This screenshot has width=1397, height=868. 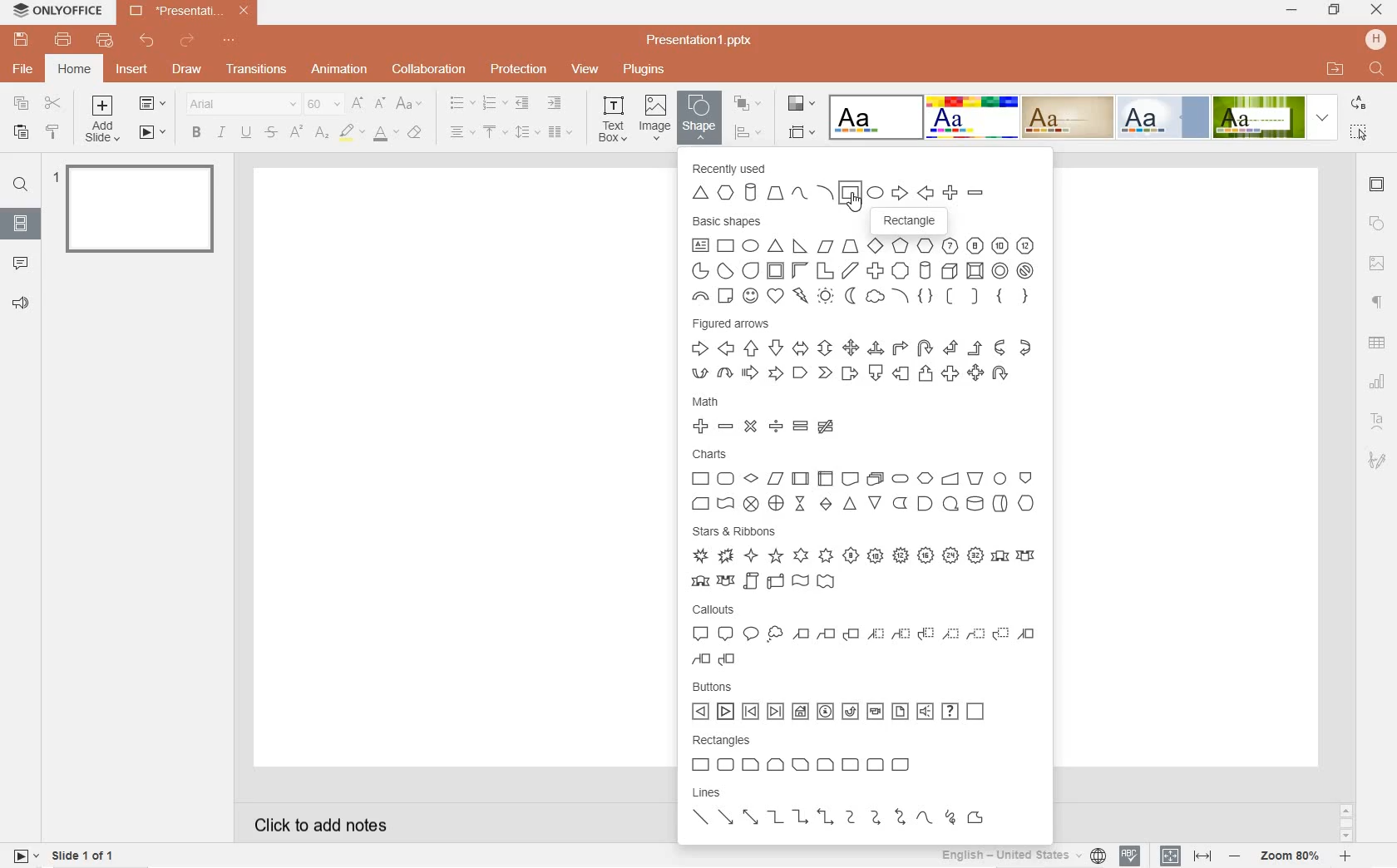 What do you see at coordinates (776, 506) in the screenshot?
I see `Or` at bounding box center [776, 506].